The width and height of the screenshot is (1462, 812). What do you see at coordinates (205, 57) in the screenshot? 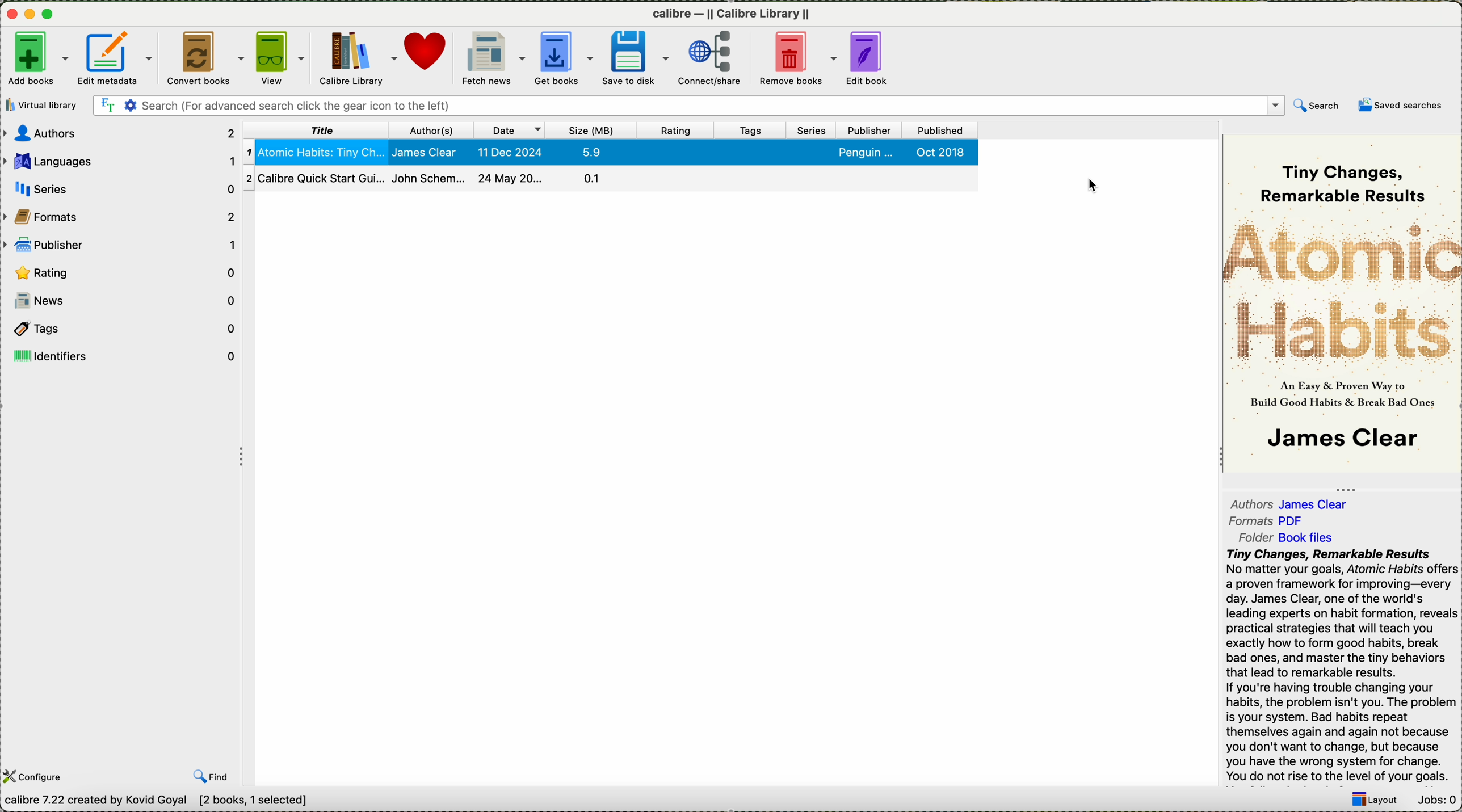
I see `convert books` at bounding box center [205, 57].